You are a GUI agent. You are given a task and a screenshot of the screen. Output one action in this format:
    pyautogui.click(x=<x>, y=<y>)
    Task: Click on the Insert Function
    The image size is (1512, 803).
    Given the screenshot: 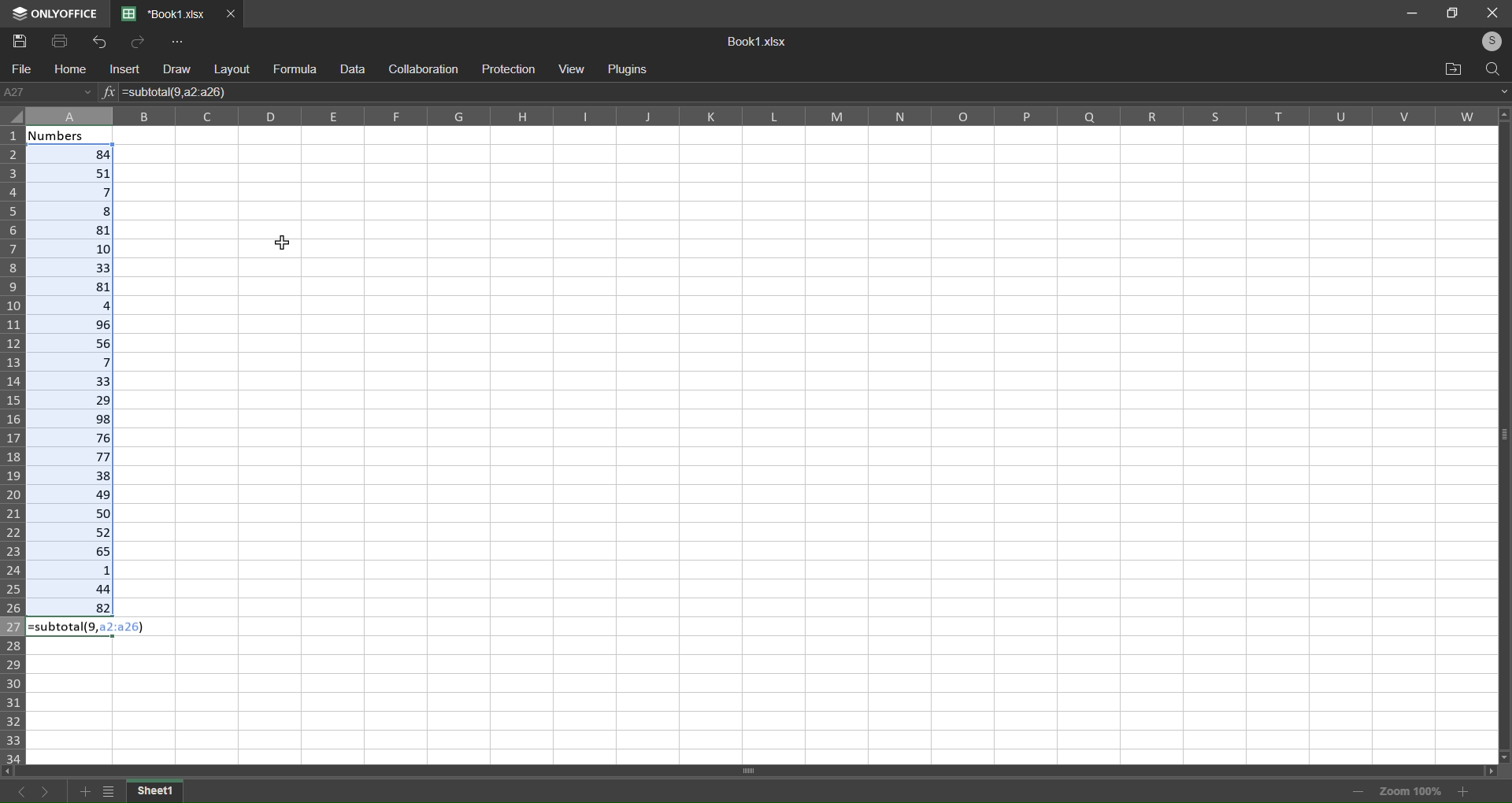 What is the action you would take?
    pyautogui.click(x=109, y=94)
    